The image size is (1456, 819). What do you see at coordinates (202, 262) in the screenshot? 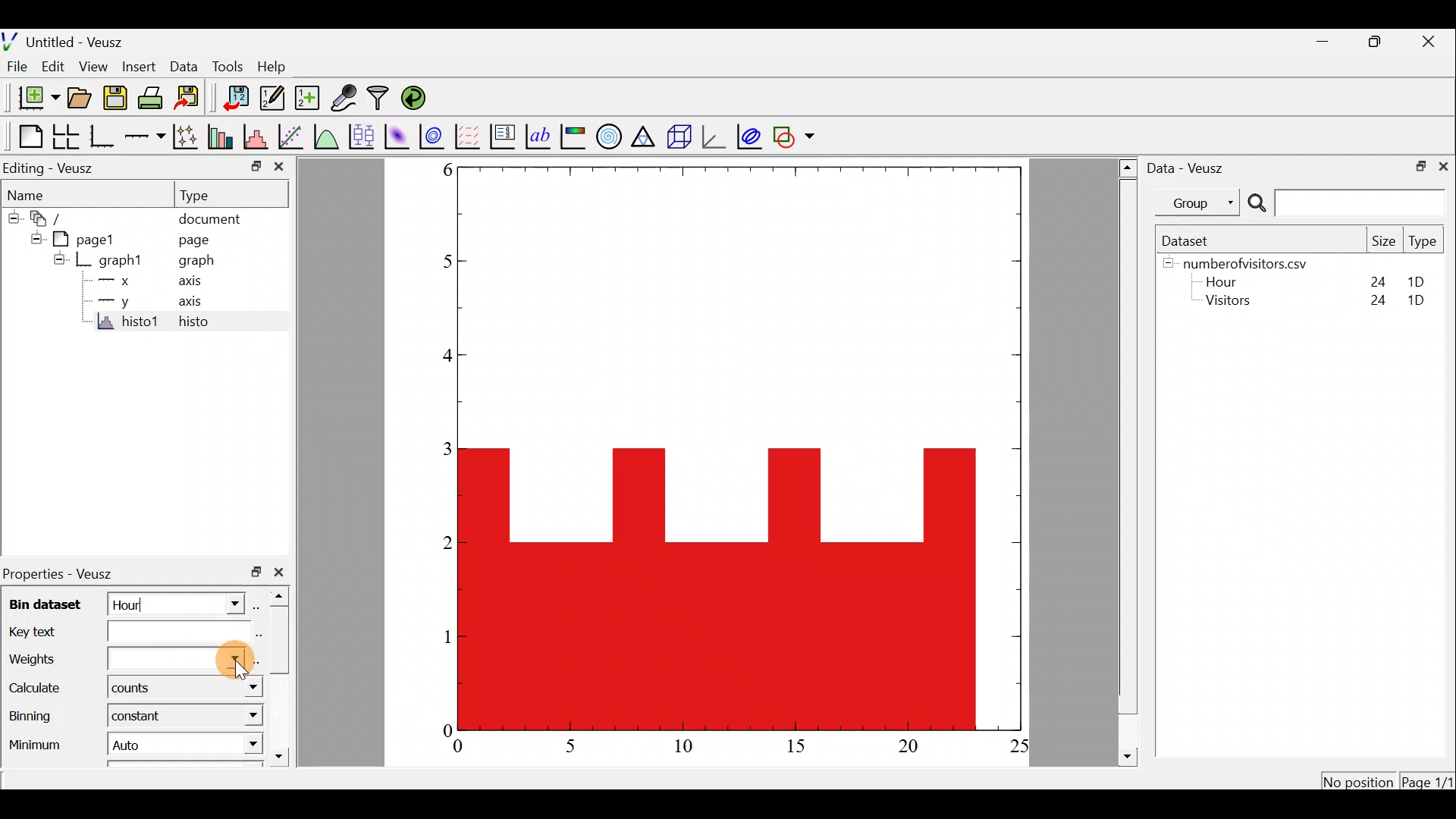
I see `graph` at bounding box center [202, 262].